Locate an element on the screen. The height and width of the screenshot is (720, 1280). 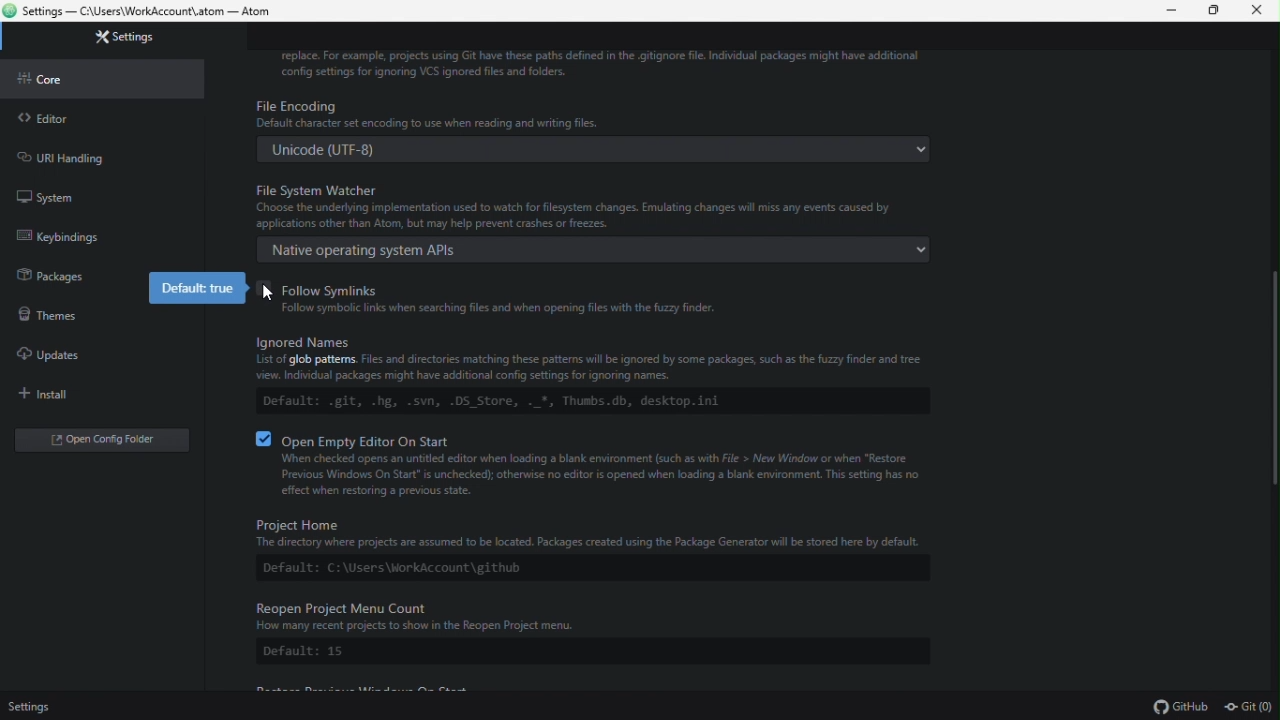
ignored names is located at coordinates (591, 373).